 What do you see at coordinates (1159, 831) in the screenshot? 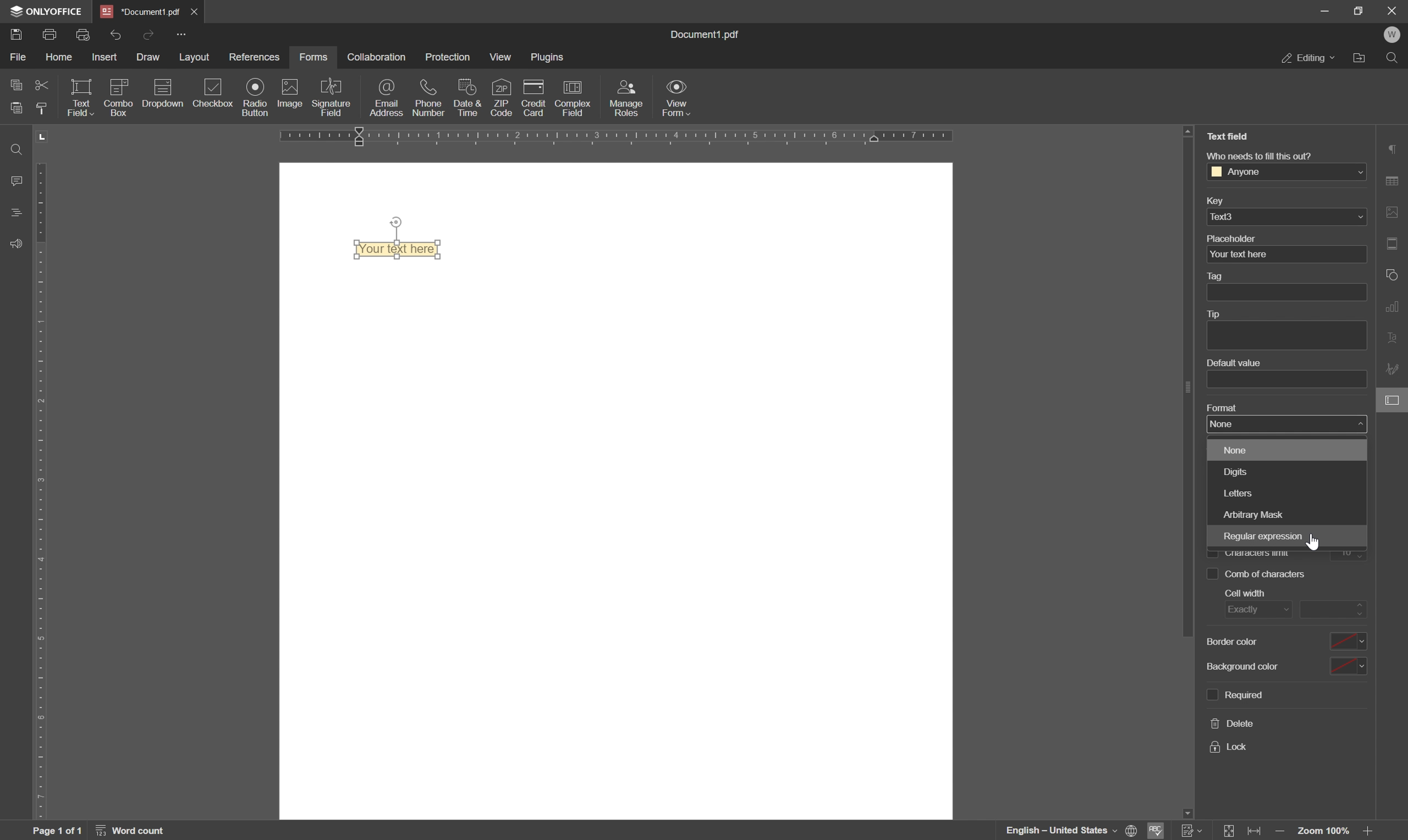
I see `spell checking` at bounding box center [1159, 831].